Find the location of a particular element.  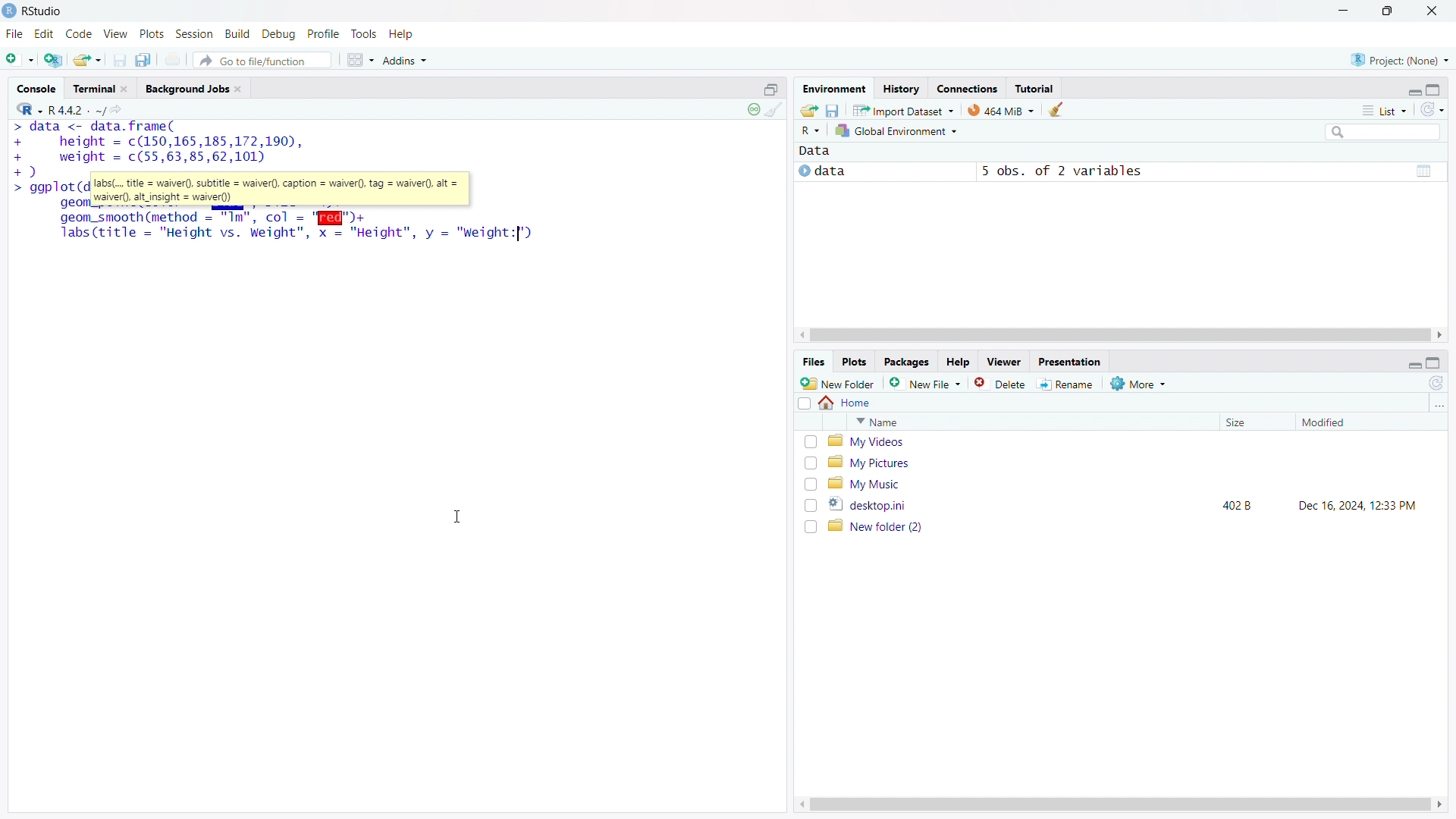

tools is located at coordinates (363, 34).